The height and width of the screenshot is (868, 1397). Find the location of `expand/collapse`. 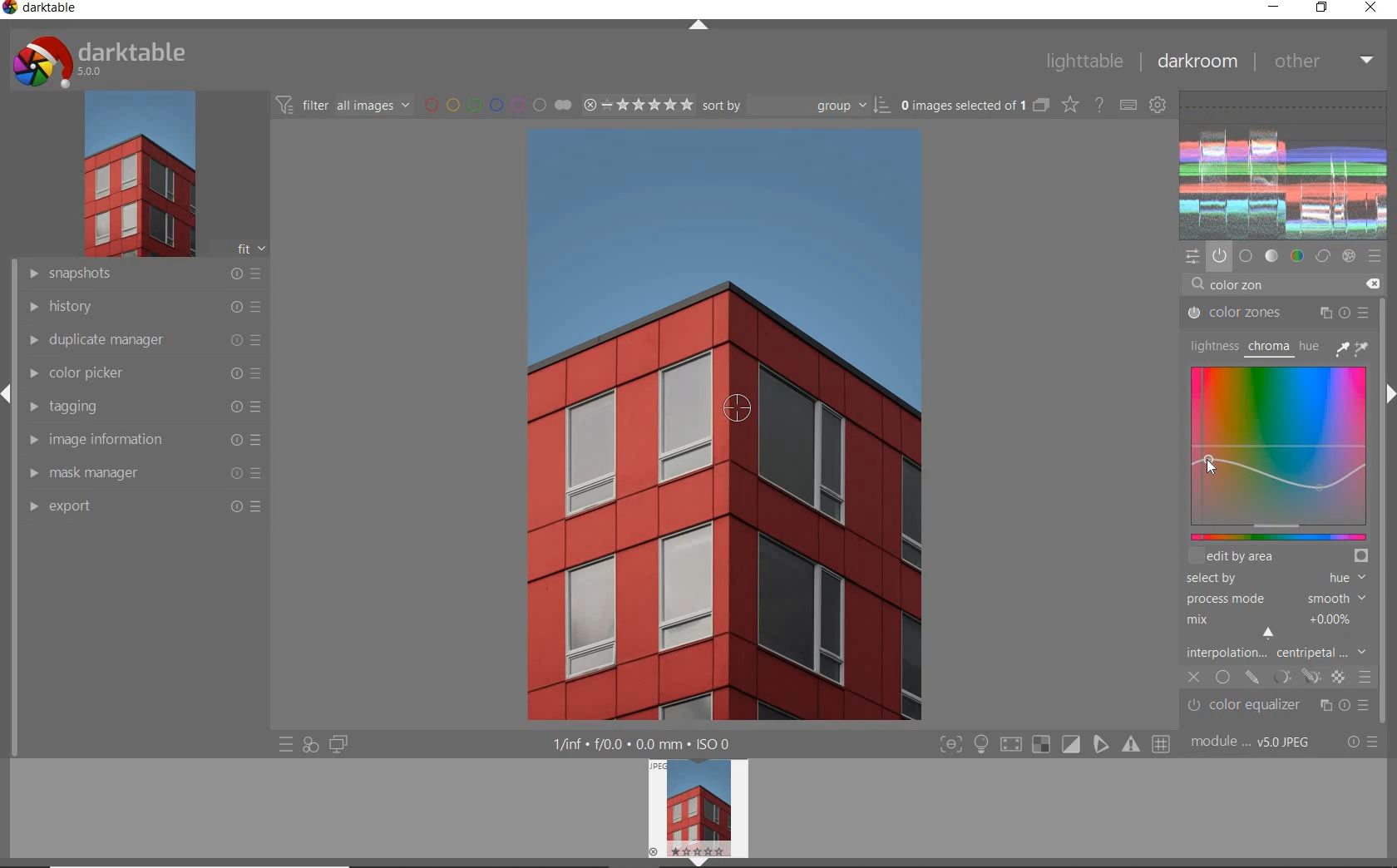

expand/collapse is located at coordinates (698, 861).